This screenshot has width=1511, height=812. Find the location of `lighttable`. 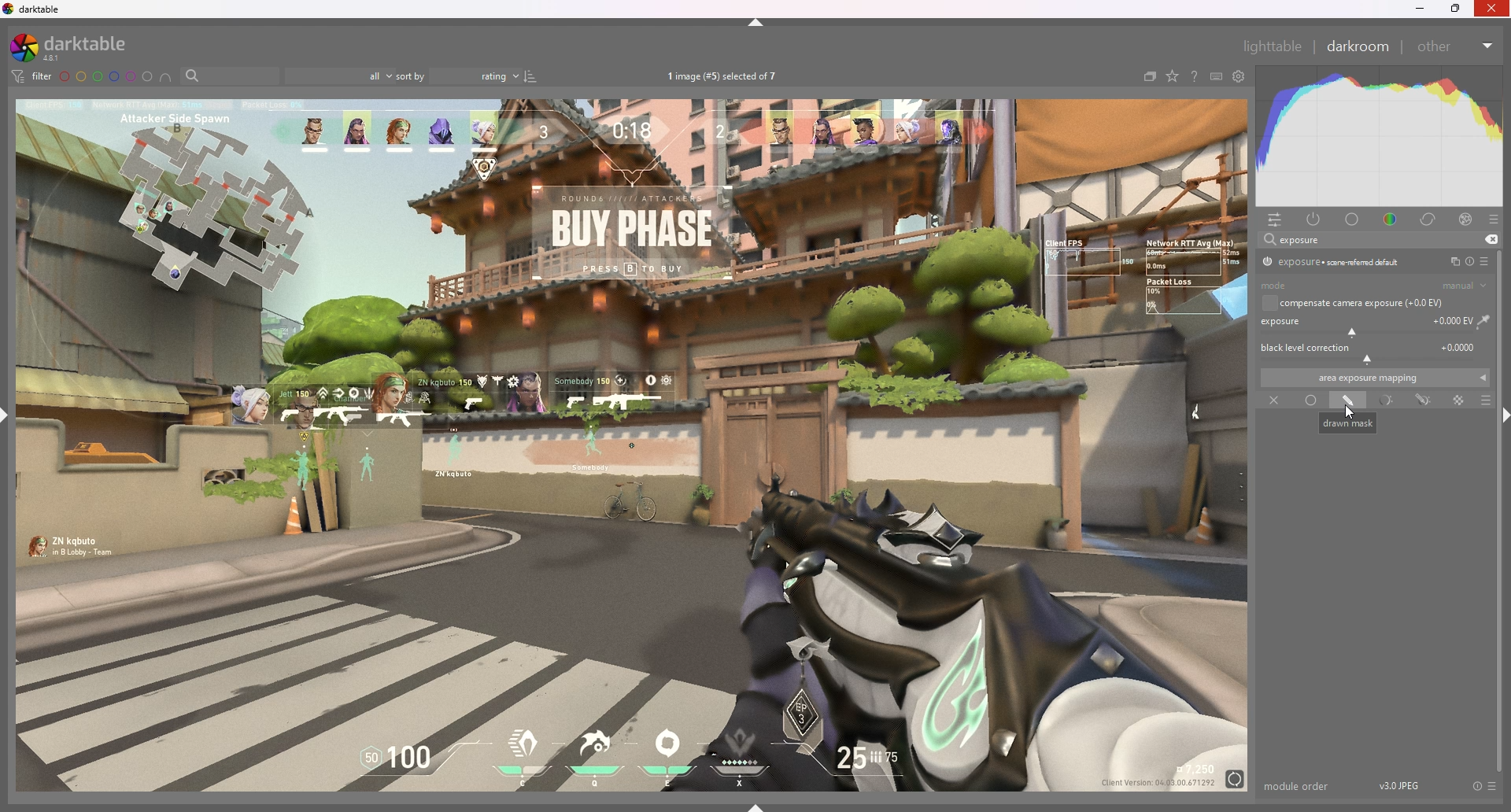

lighttable is located at coordinates (1273, 46).